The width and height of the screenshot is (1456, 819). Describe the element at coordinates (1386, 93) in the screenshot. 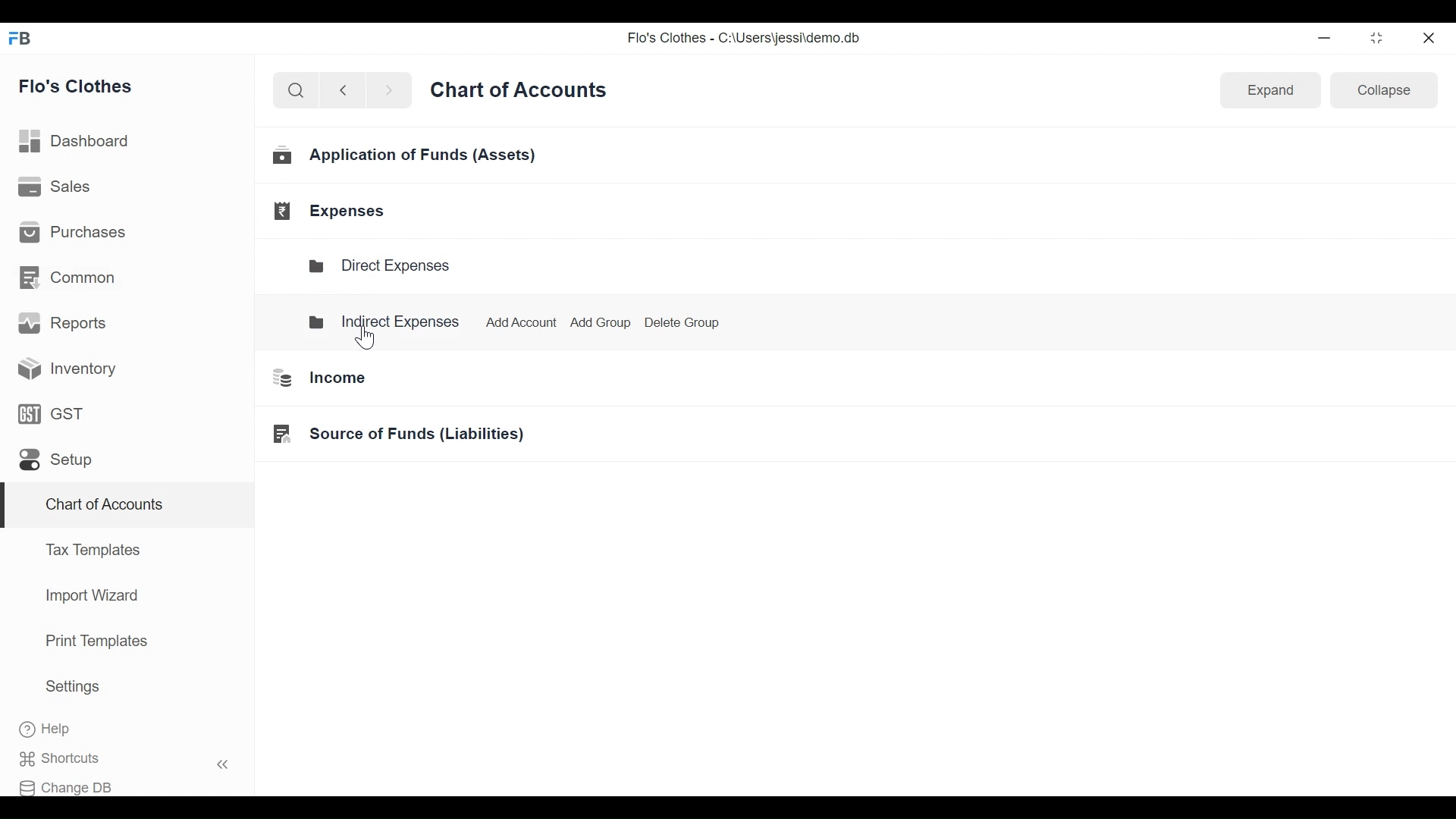

I see `Collapse` at that location.